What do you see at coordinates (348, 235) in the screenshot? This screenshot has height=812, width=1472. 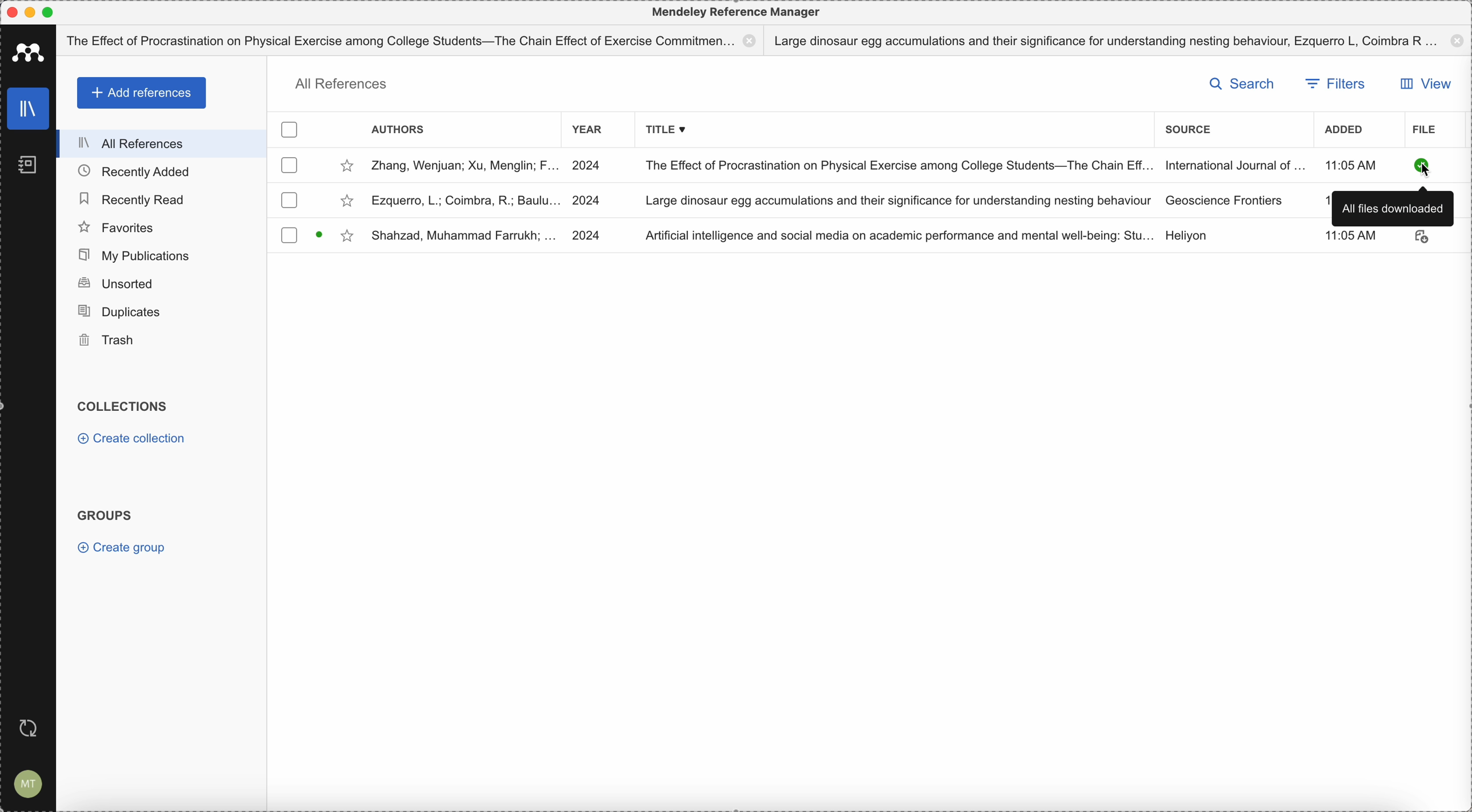 I see `favorite` at bounding box center [348, 235].